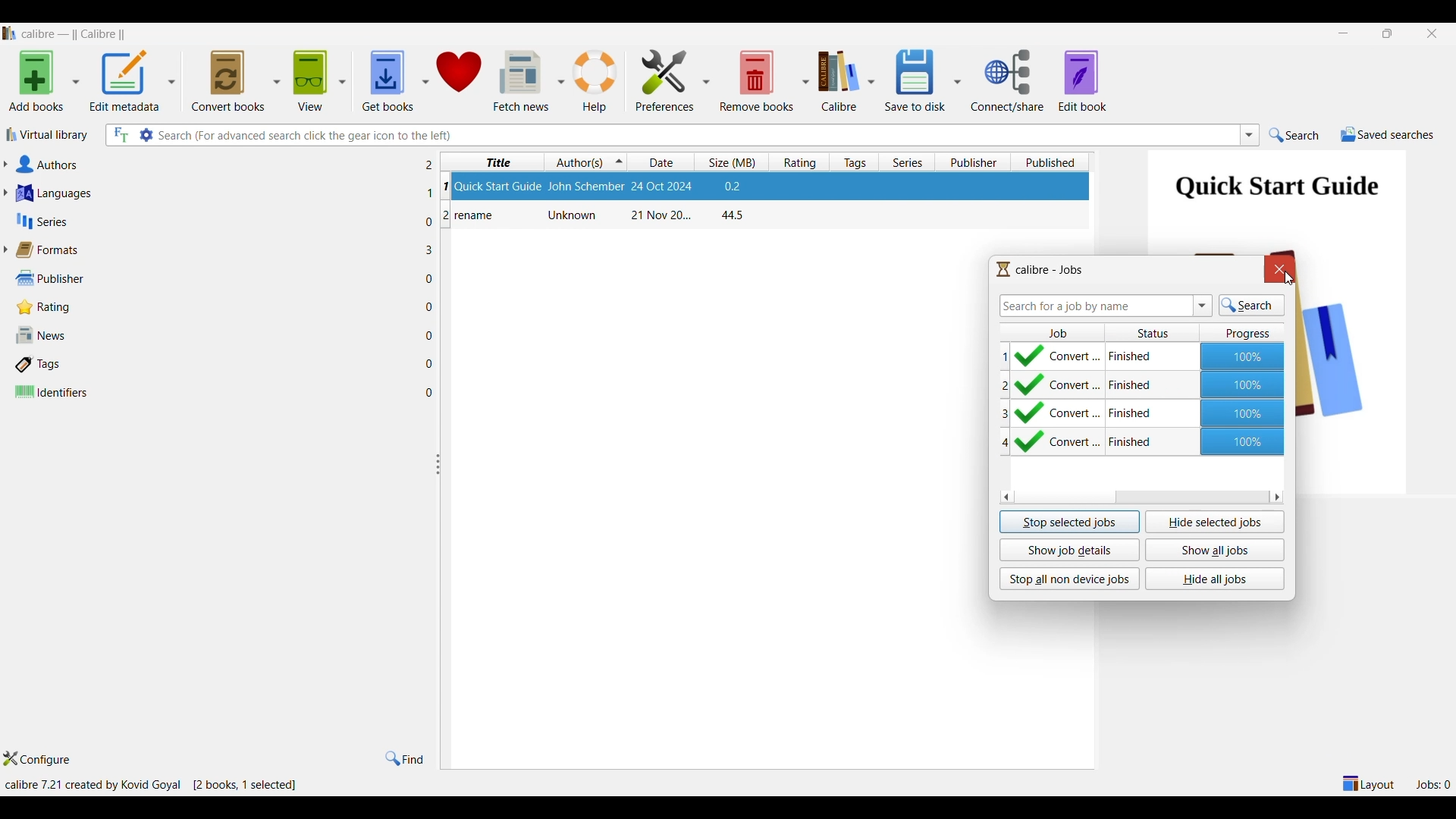 The width and height of the screenshot is (1456, 819). Describe the element at coordinates (1007, 497) in the screenshot. I see `Quick slide to left` at that location.